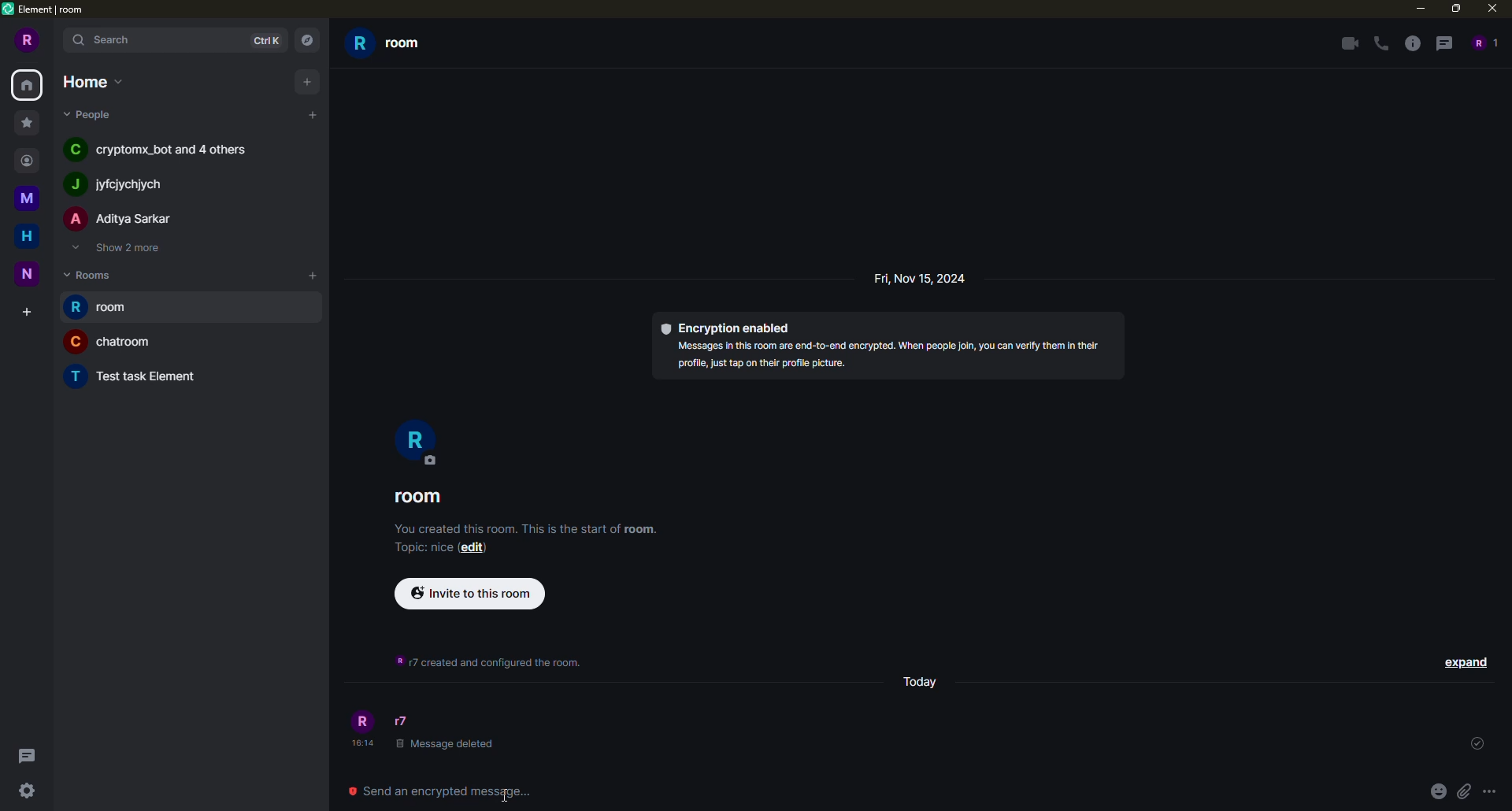 The height and width of the screenshot is (811, 1512). I want to click on expand, so click(1466, 661).